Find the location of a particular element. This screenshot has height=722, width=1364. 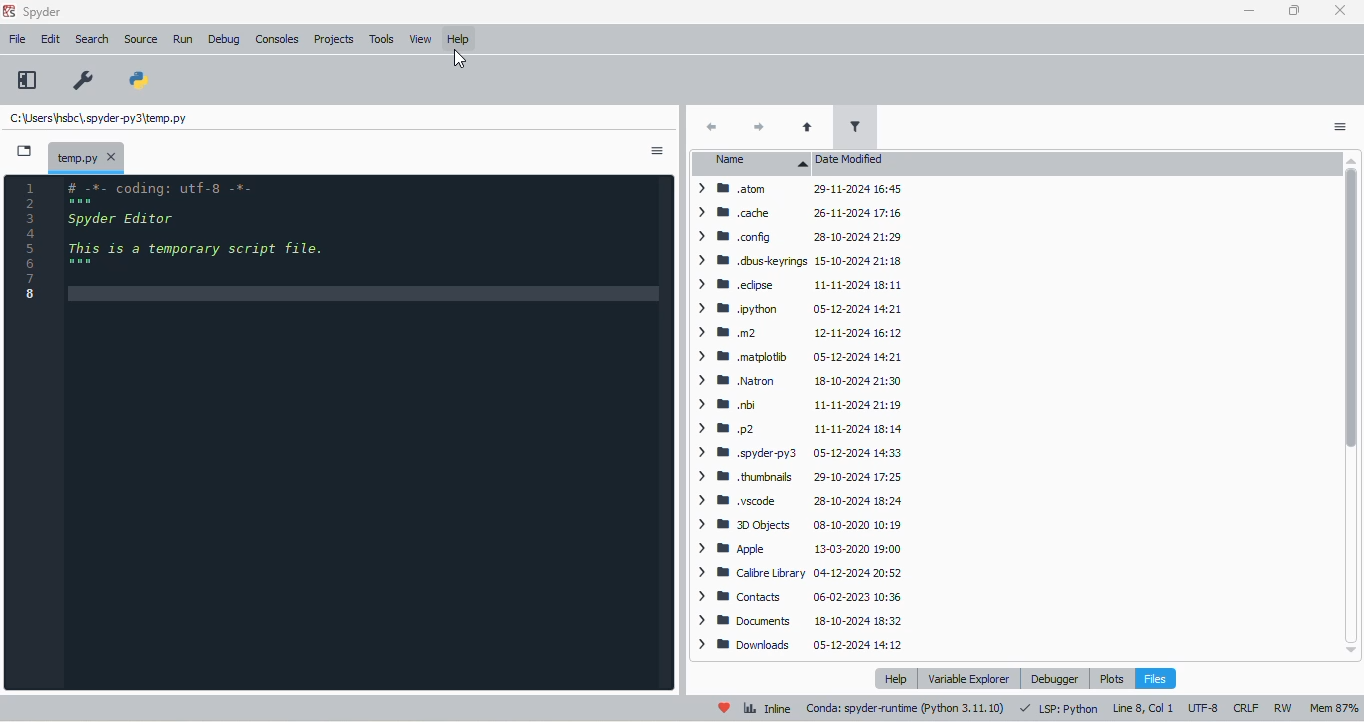

> WB spyder-py3 05-12-2024 14:33 is located at coordinates (799, 453).